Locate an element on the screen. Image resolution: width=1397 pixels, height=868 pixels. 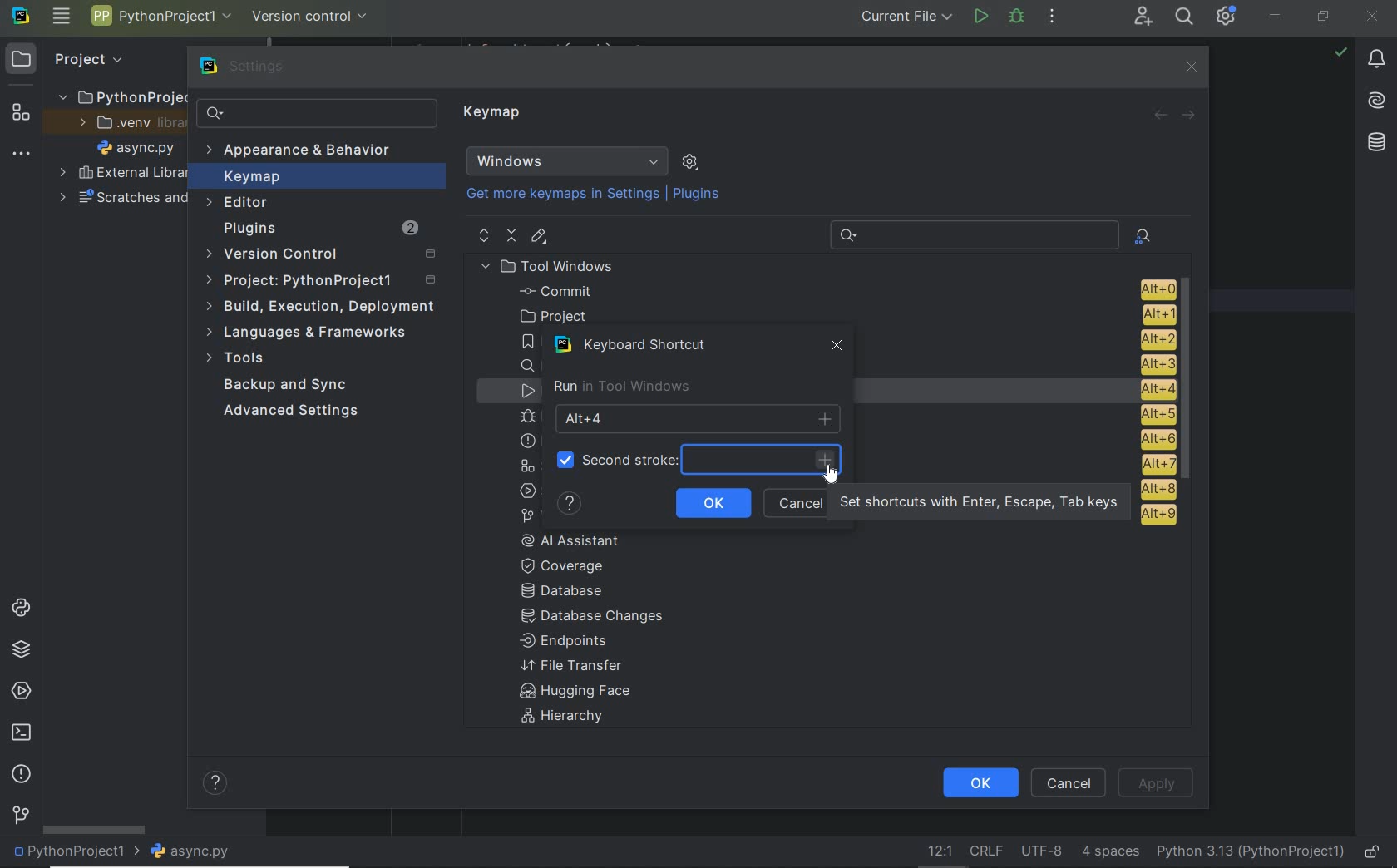
ok is located at coordinates (713, 501).